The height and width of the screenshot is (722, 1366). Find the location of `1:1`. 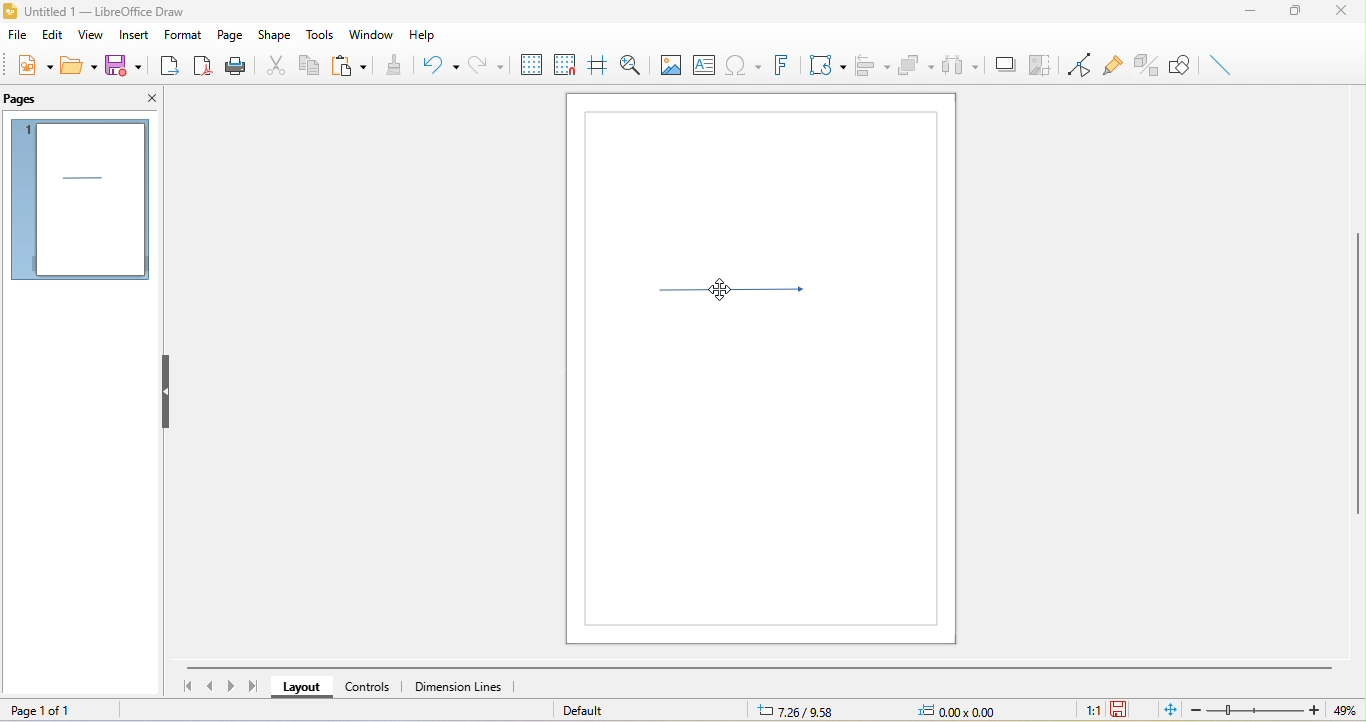

1:1 is located at coordinates (1087, 711).